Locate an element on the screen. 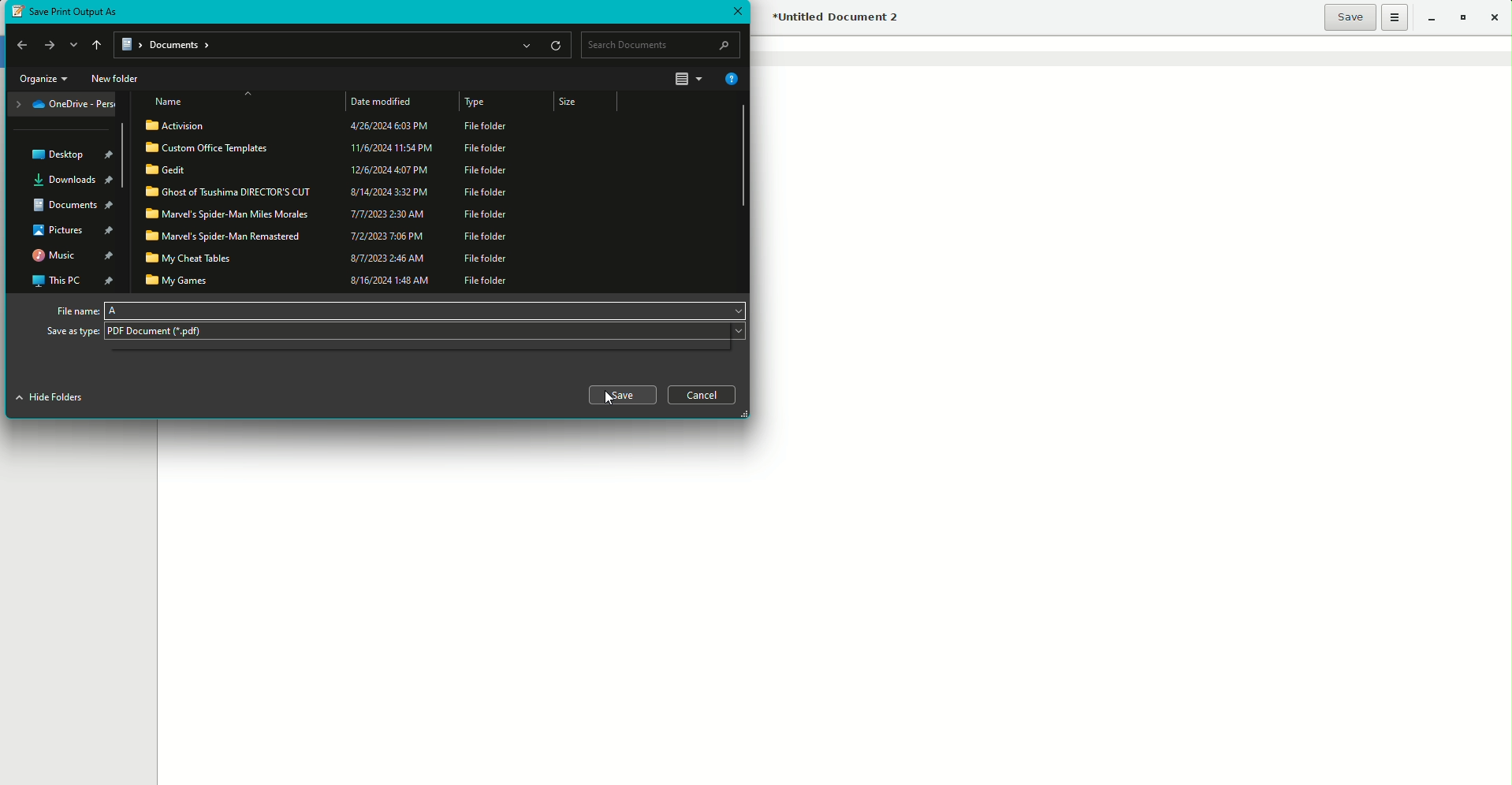 This screenshot has width=1512, height=785. Type is located at coordinates (477, 104).